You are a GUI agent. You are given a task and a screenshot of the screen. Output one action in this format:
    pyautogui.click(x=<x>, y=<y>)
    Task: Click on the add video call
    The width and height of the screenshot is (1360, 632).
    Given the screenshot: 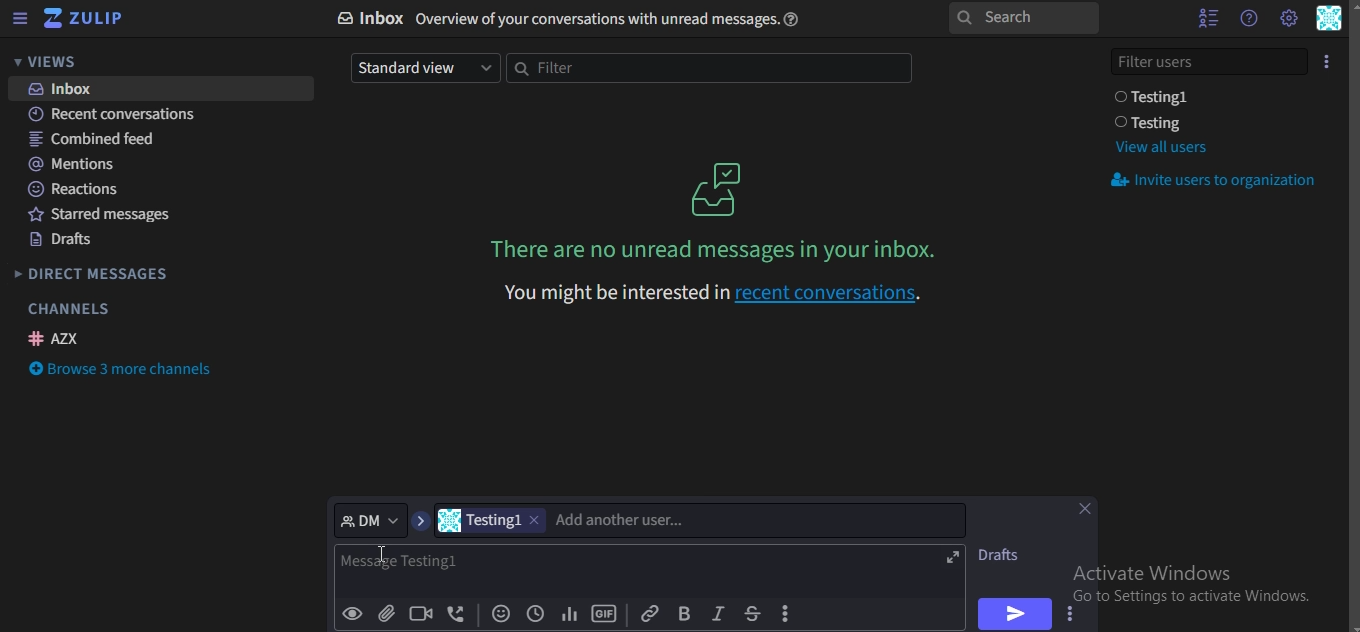 What is the action you would take?
    pyautogui.click(x=422, y=613)
    